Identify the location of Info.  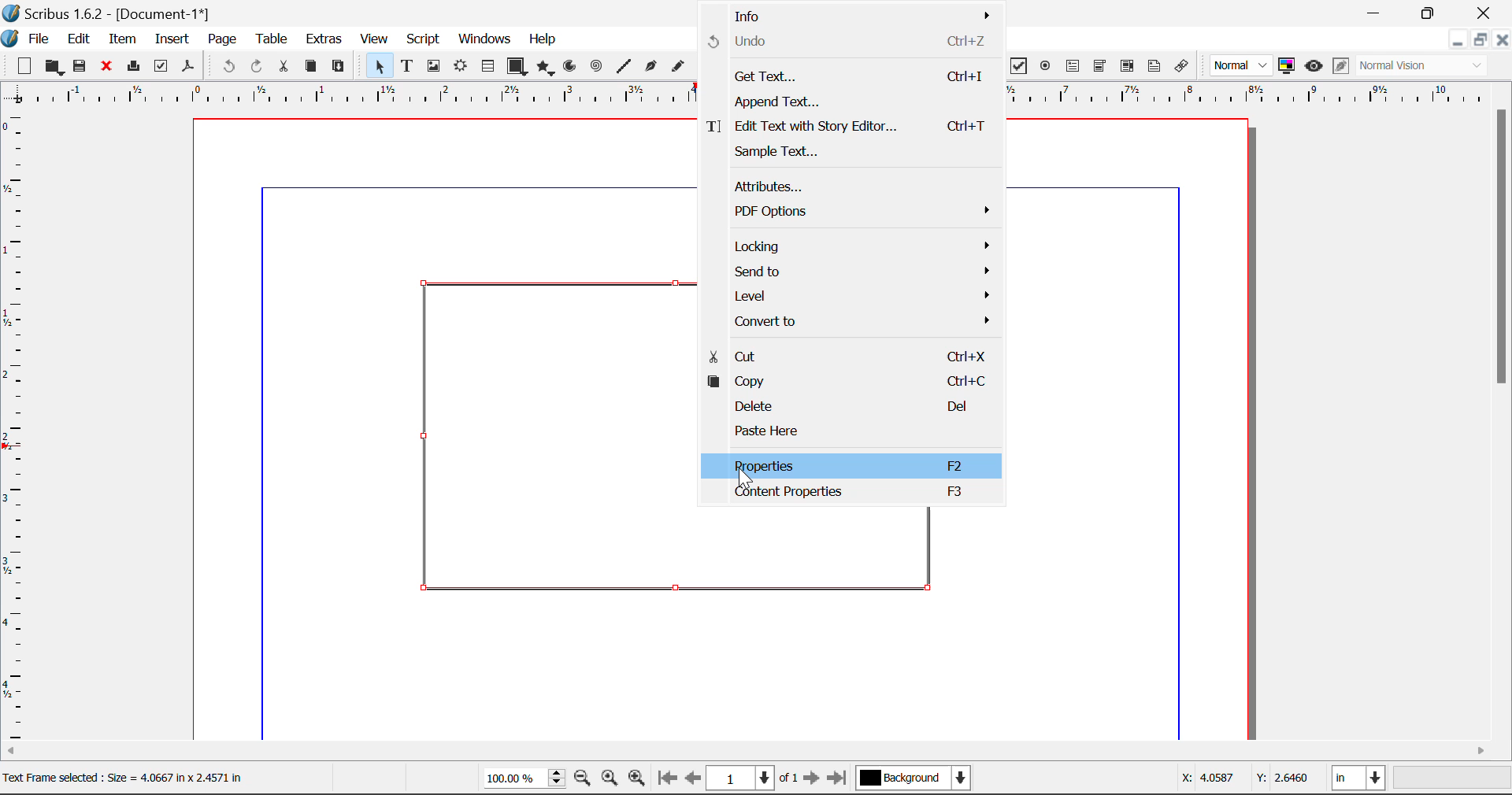
(852, 13).